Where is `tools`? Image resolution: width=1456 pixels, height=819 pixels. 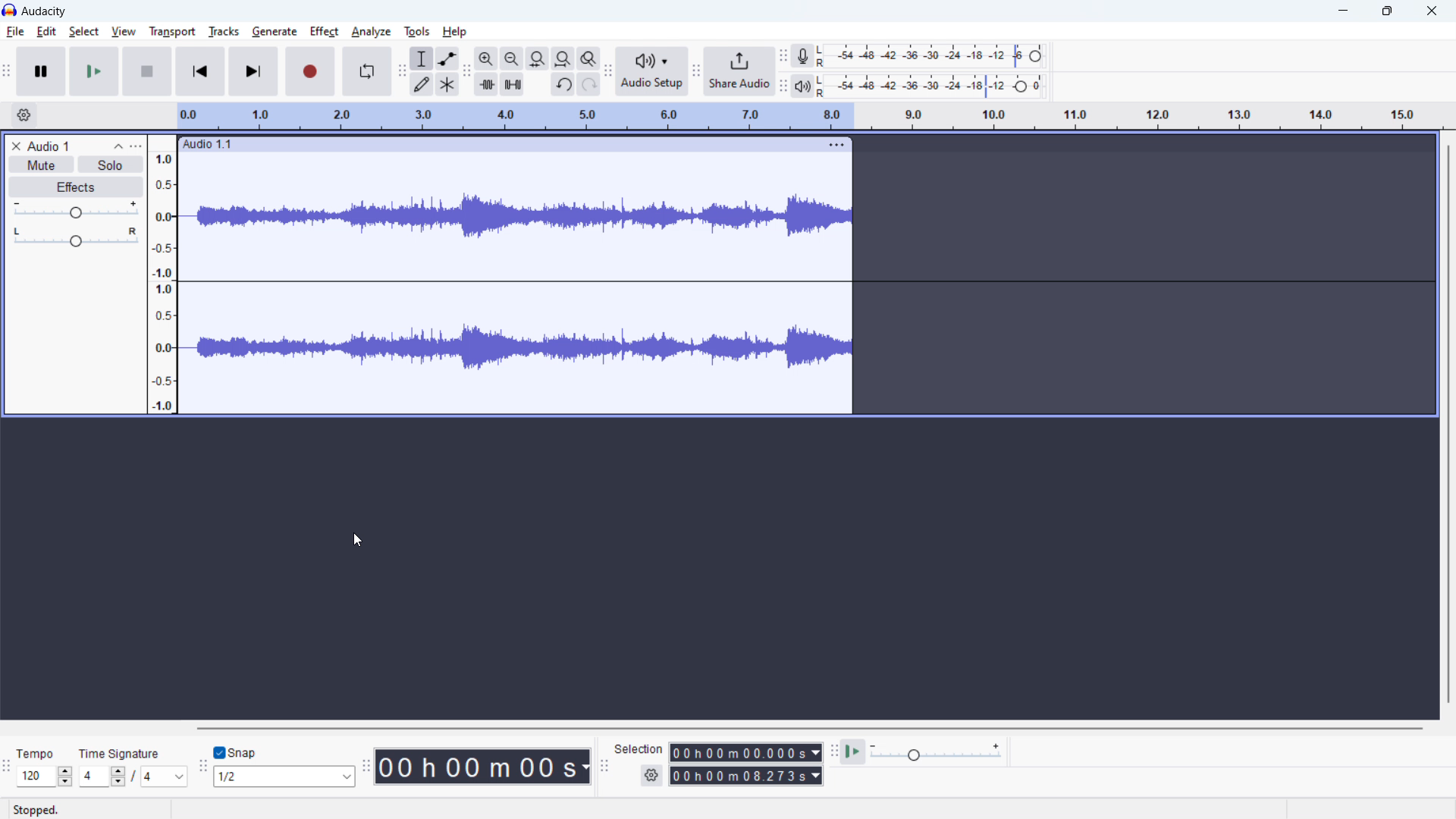
tools is located at coordinates (417, 31).